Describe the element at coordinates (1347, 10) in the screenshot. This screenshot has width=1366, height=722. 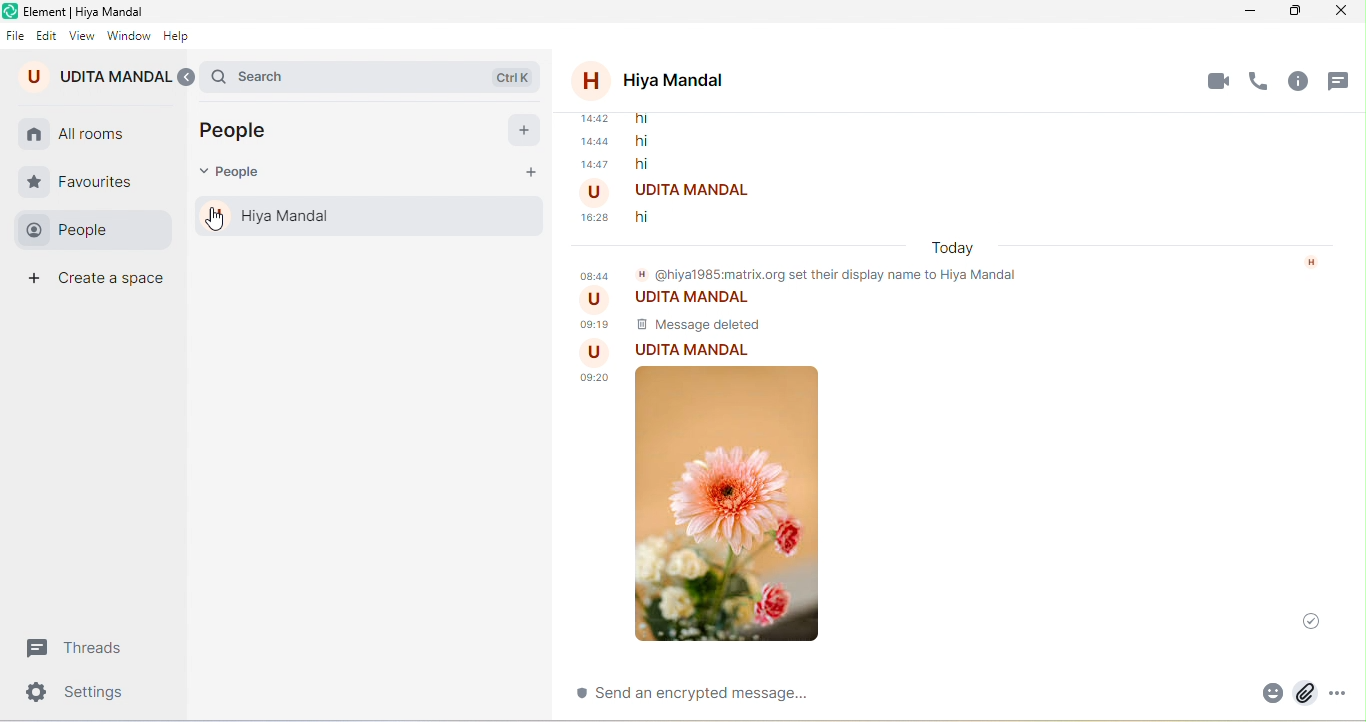
I see `close` at that location.